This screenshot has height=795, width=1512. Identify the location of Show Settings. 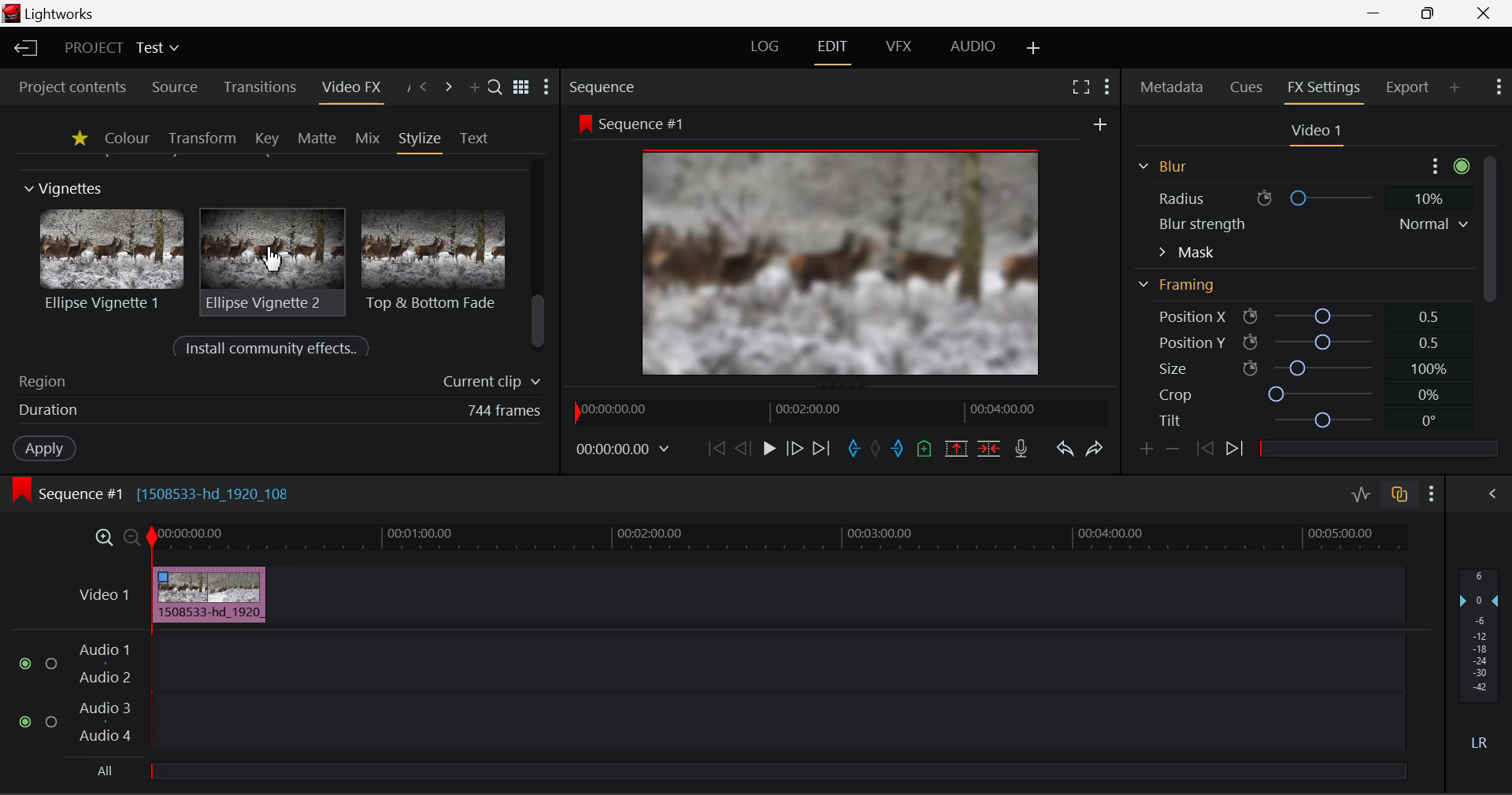
(1501, 89).